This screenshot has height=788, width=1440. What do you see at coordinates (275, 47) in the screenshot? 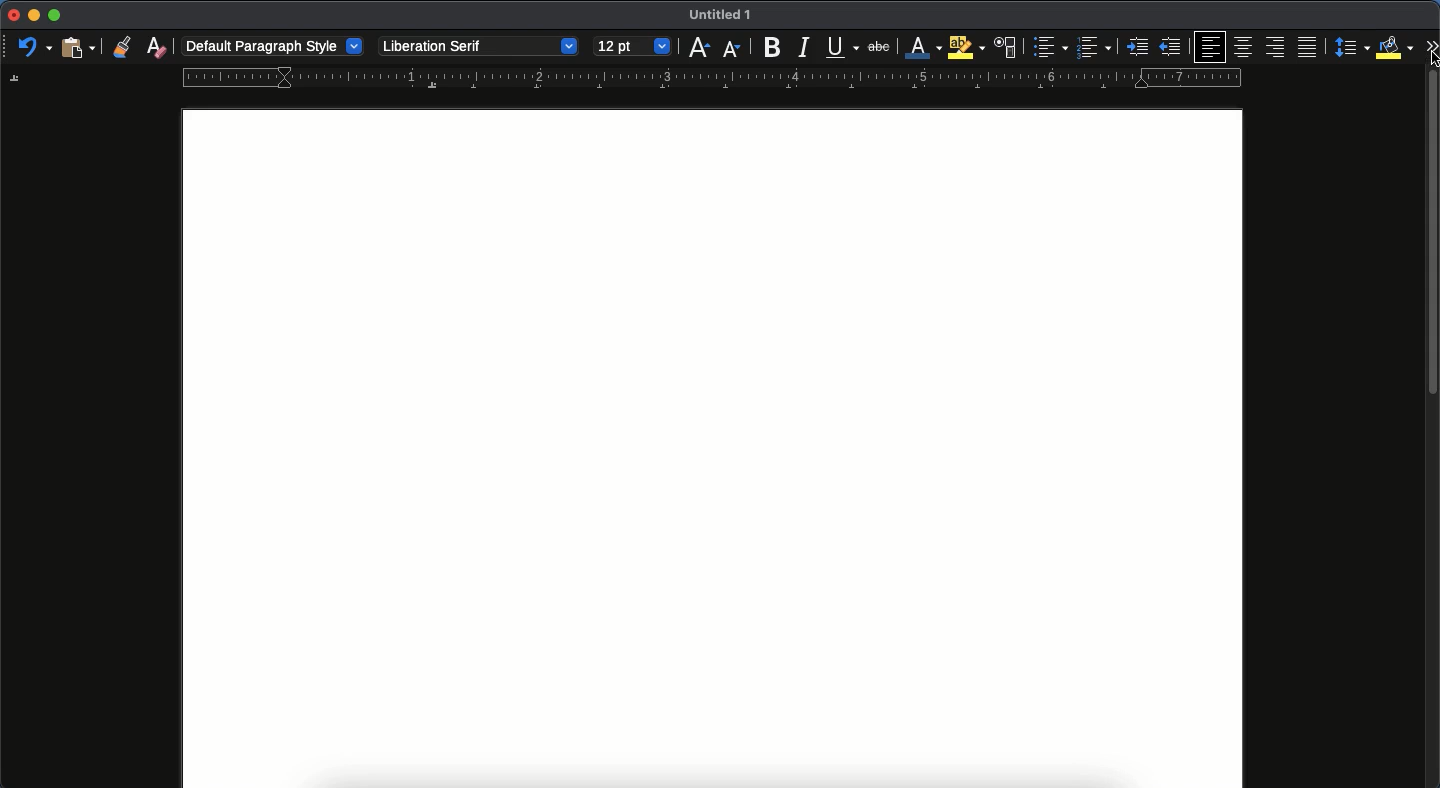
I see `default paragraph style` at bounding box center [275, 47].